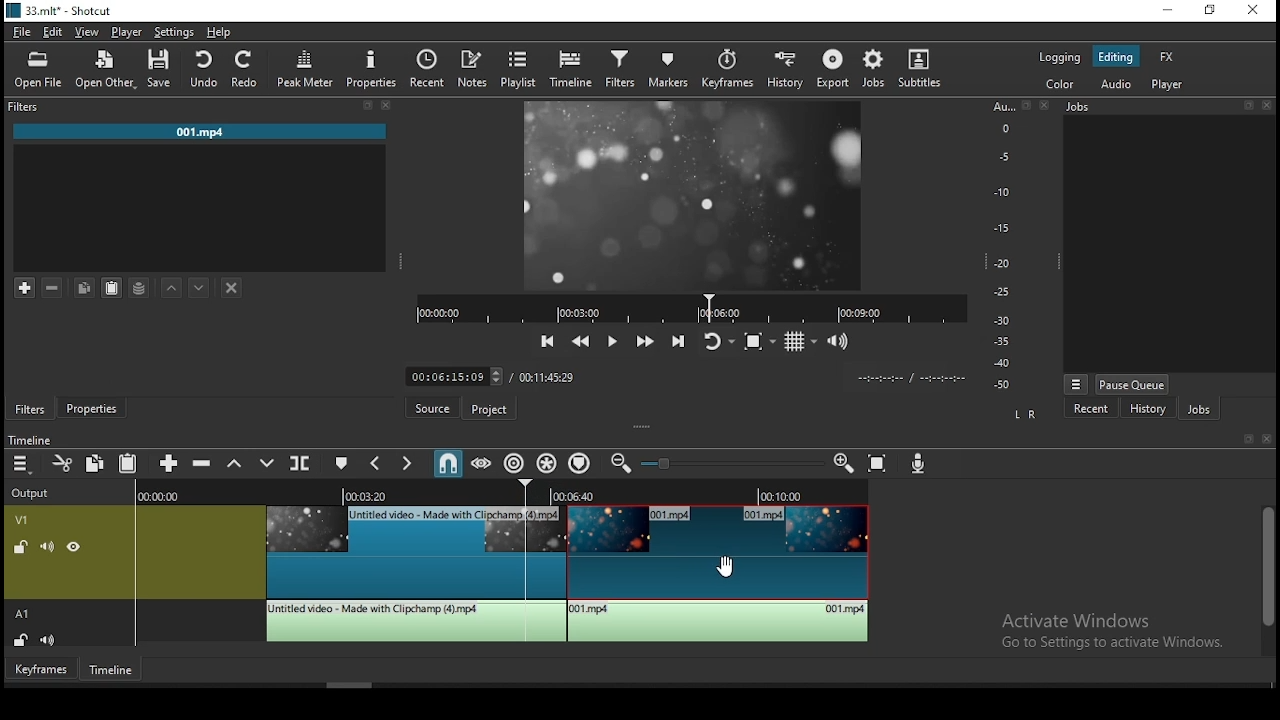  What do you see at coordinates (303, 466) in the screenshot?
I see `split at playhead` at bounding box center [303, 466].